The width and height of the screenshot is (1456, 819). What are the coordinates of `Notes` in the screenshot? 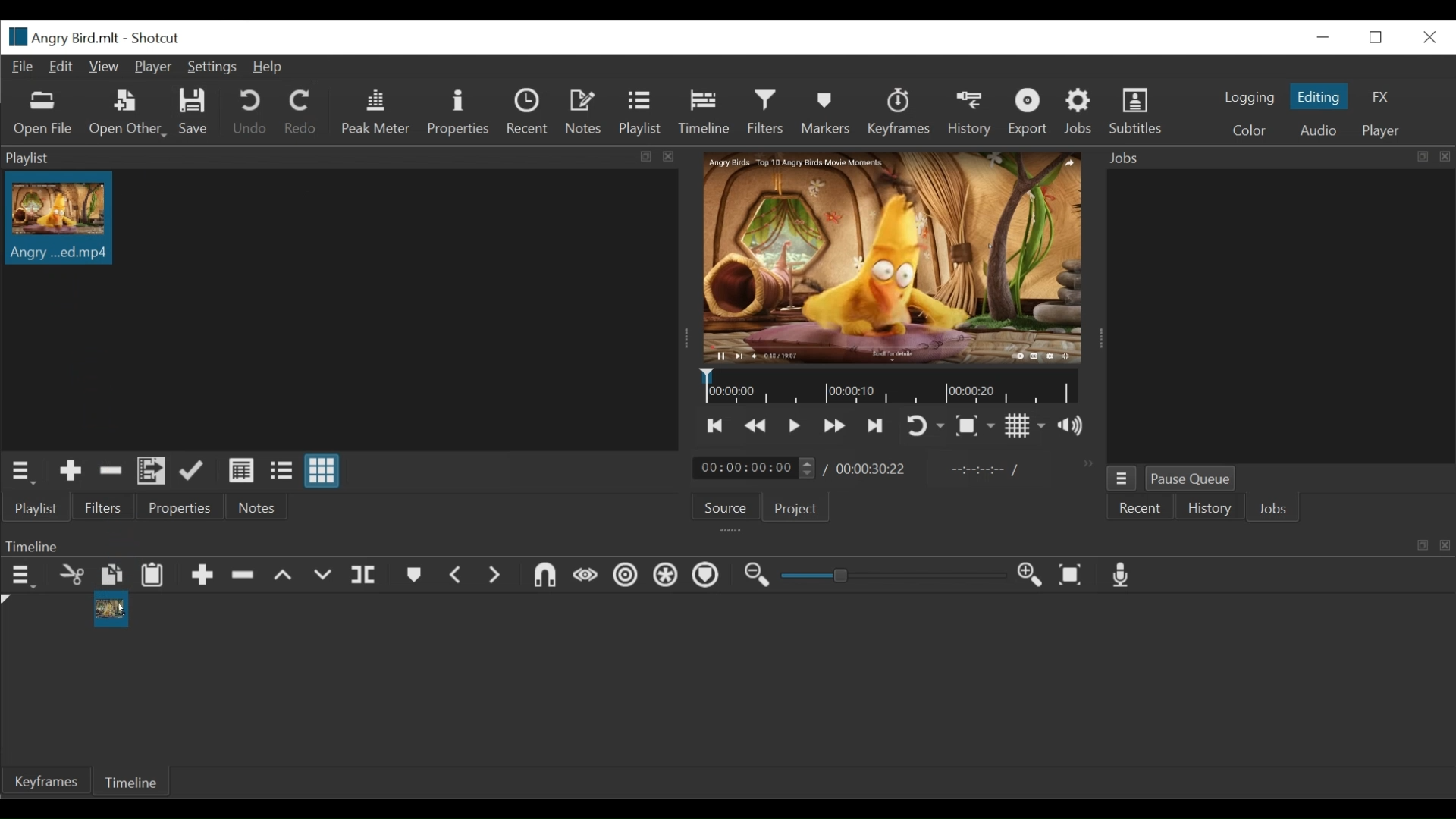 It's located at (262, 506).